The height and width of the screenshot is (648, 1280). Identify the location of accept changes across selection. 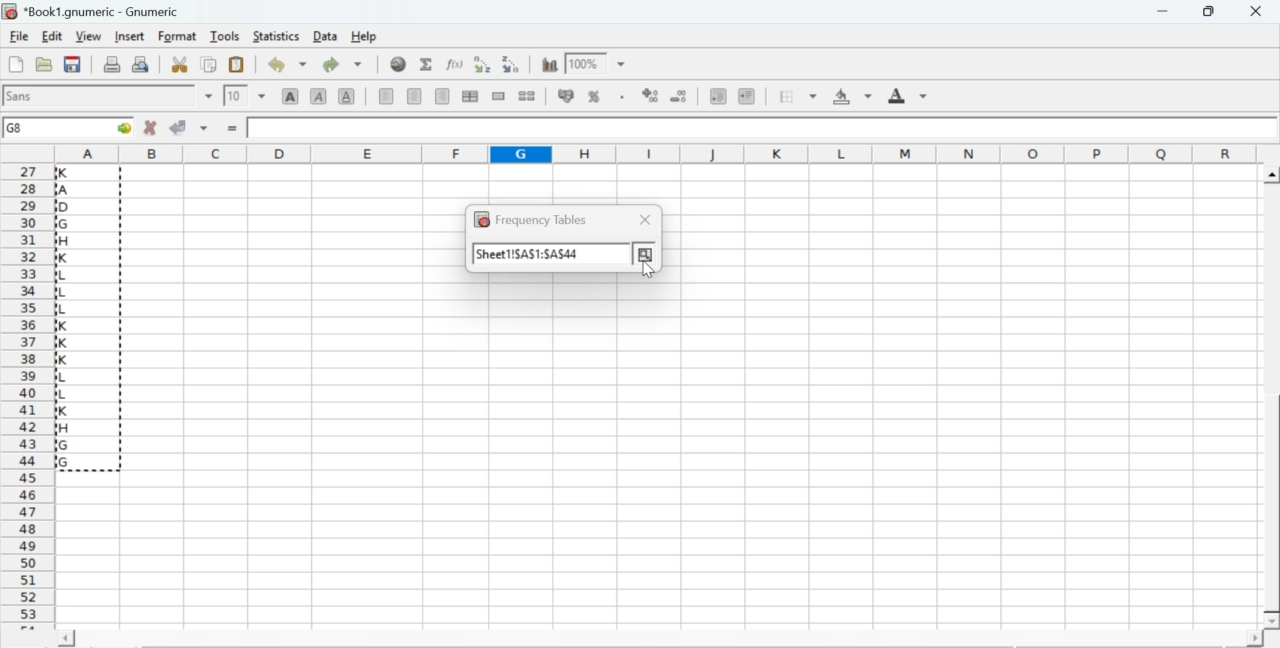
(203, 127).